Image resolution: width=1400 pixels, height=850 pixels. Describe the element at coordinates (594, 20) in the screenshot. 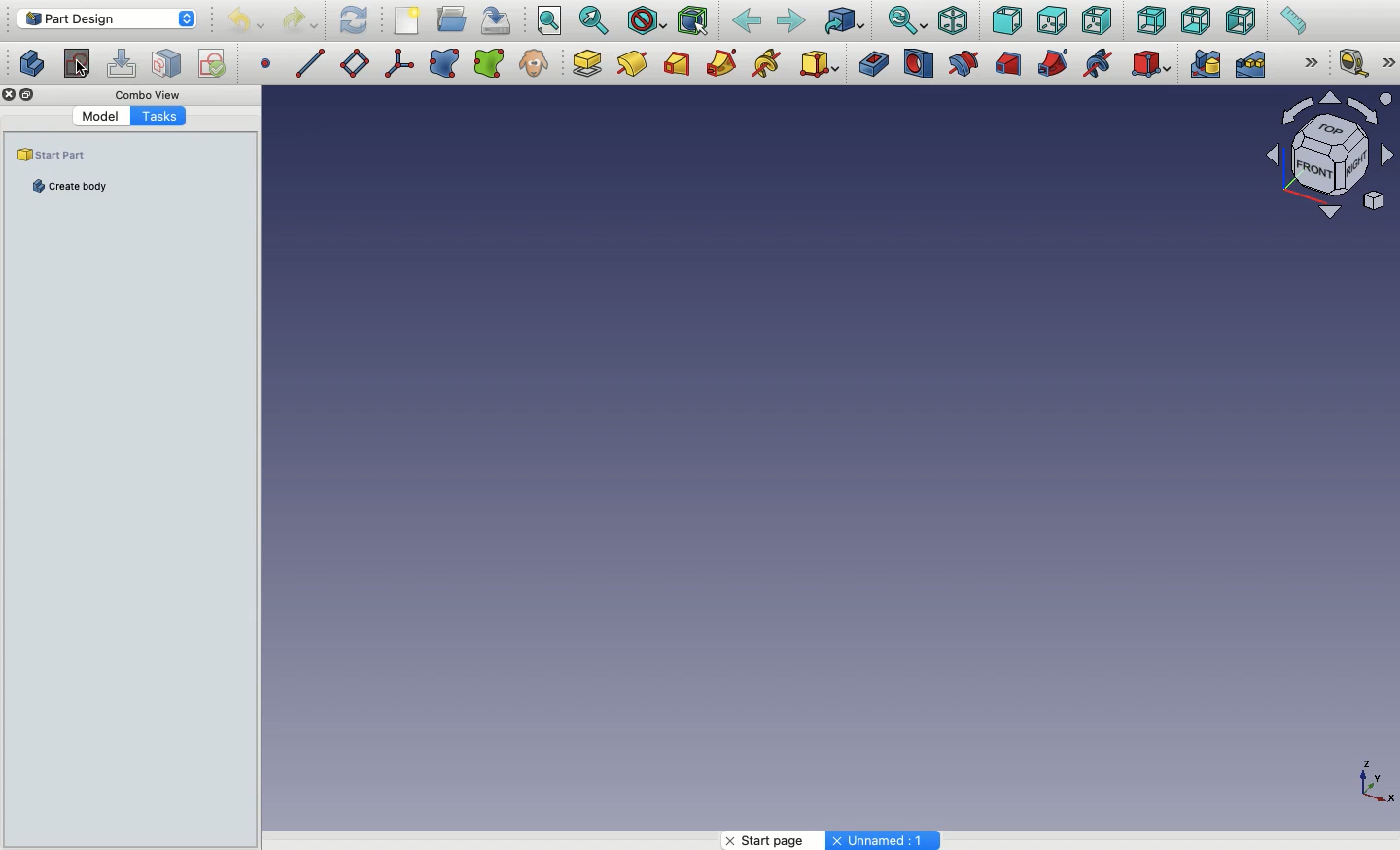

I see `Fit selection` at that location.